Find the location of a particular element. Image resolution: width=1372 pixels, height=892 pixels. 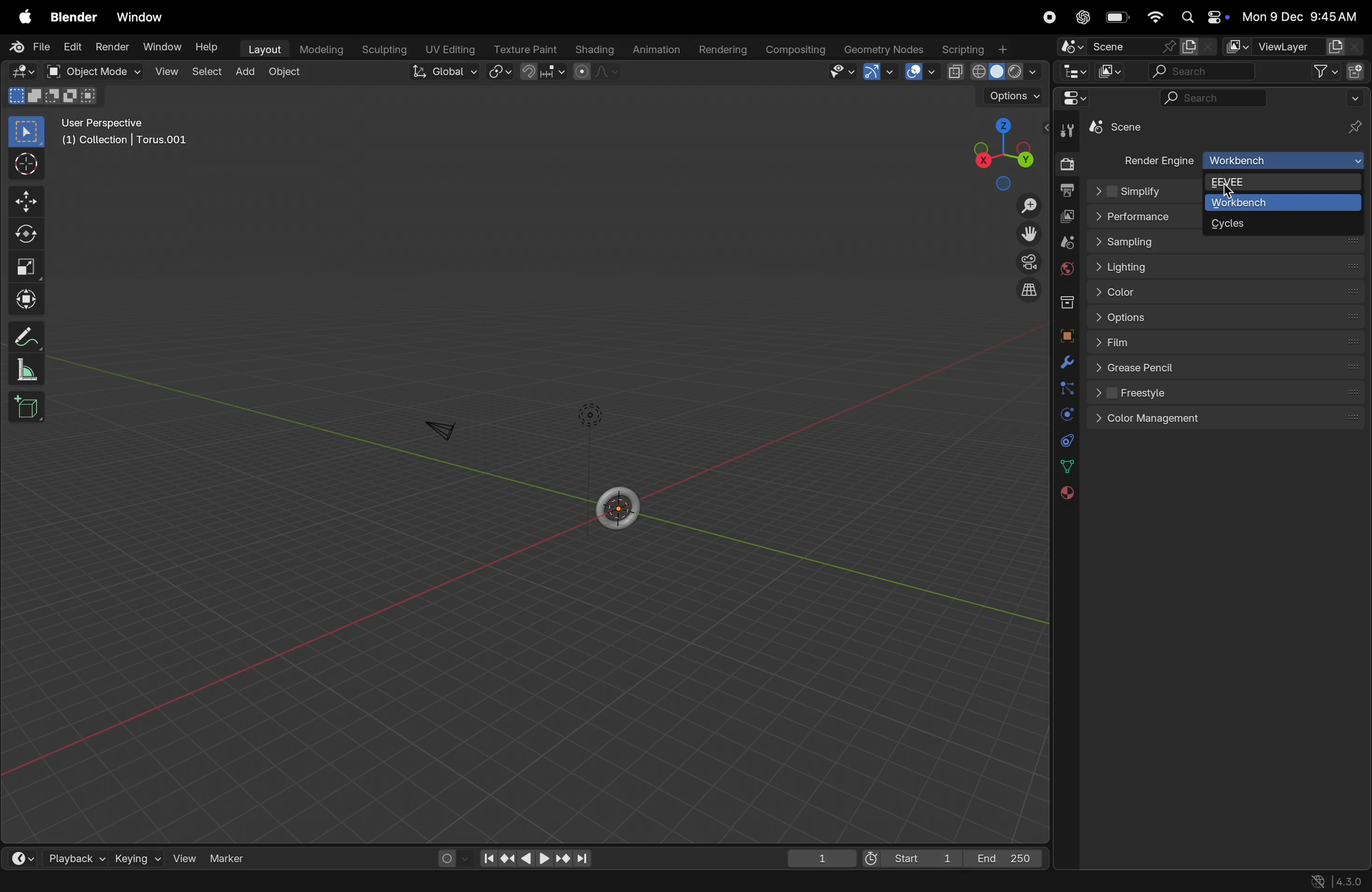

new scene is located at coordinates (1197, 46).